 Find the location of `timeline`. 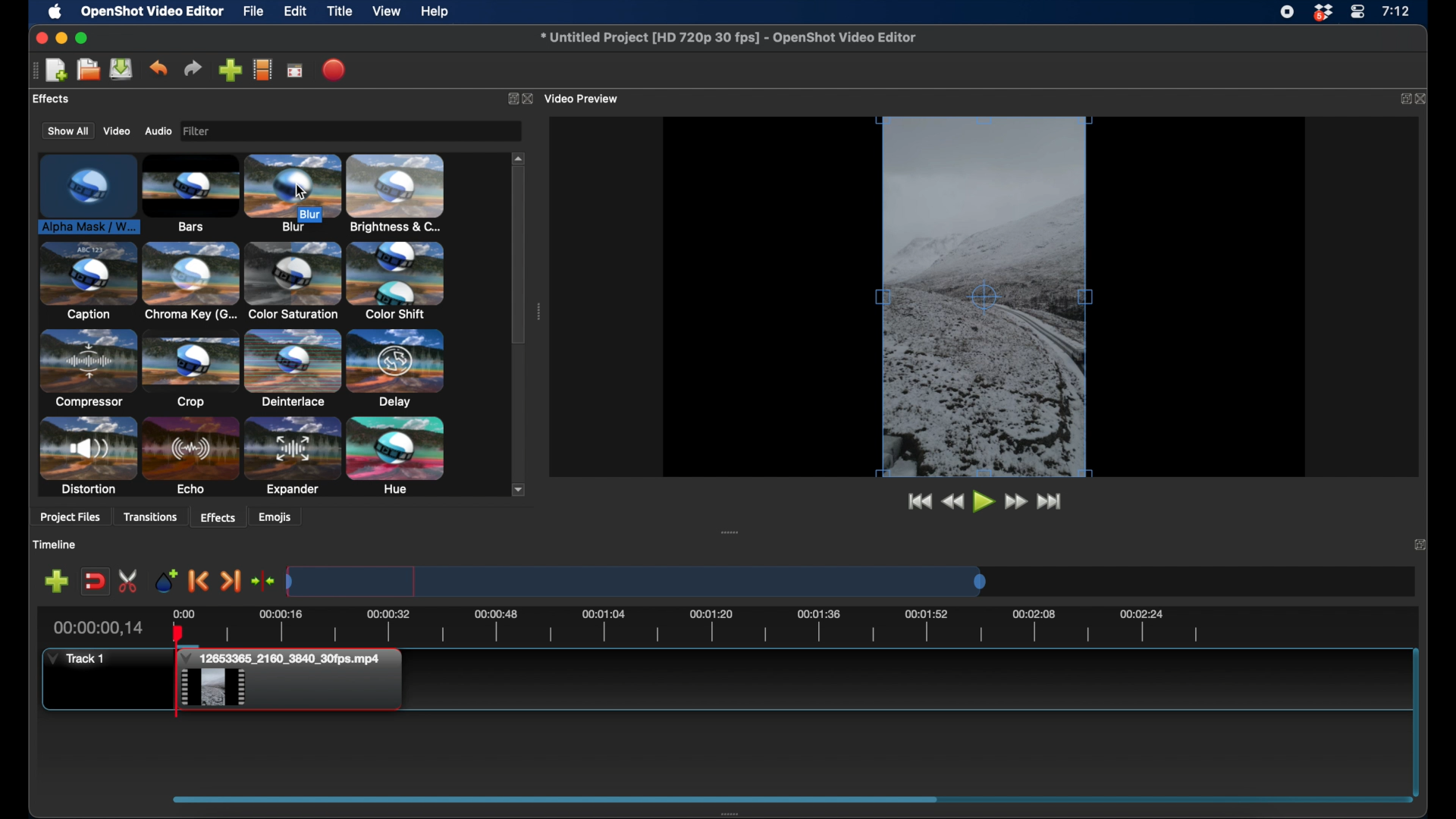

timeline is located at coordinates (54, 544).